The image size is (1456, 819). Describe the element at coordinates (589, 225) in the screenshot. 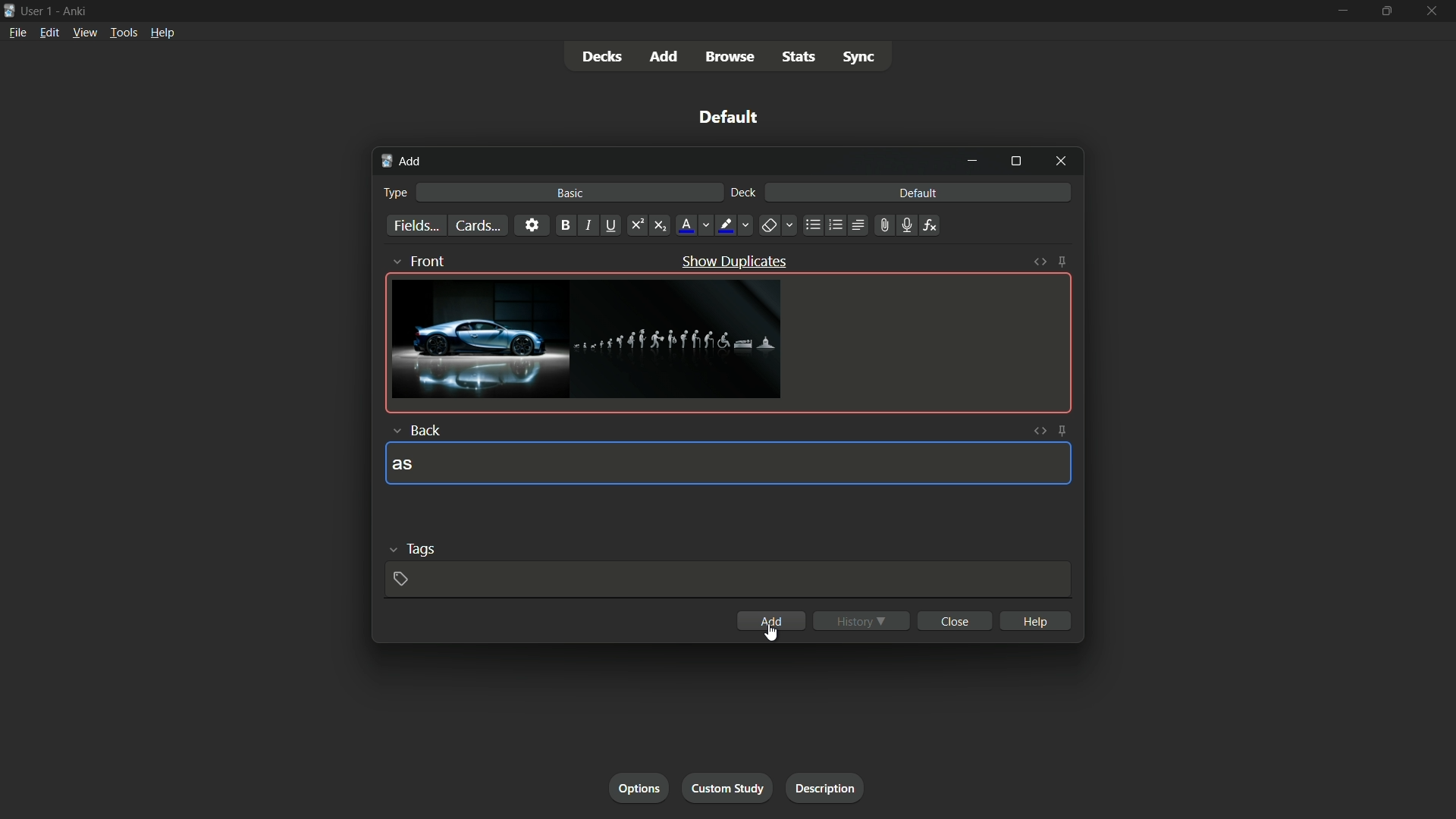

I see `italic` at that location.